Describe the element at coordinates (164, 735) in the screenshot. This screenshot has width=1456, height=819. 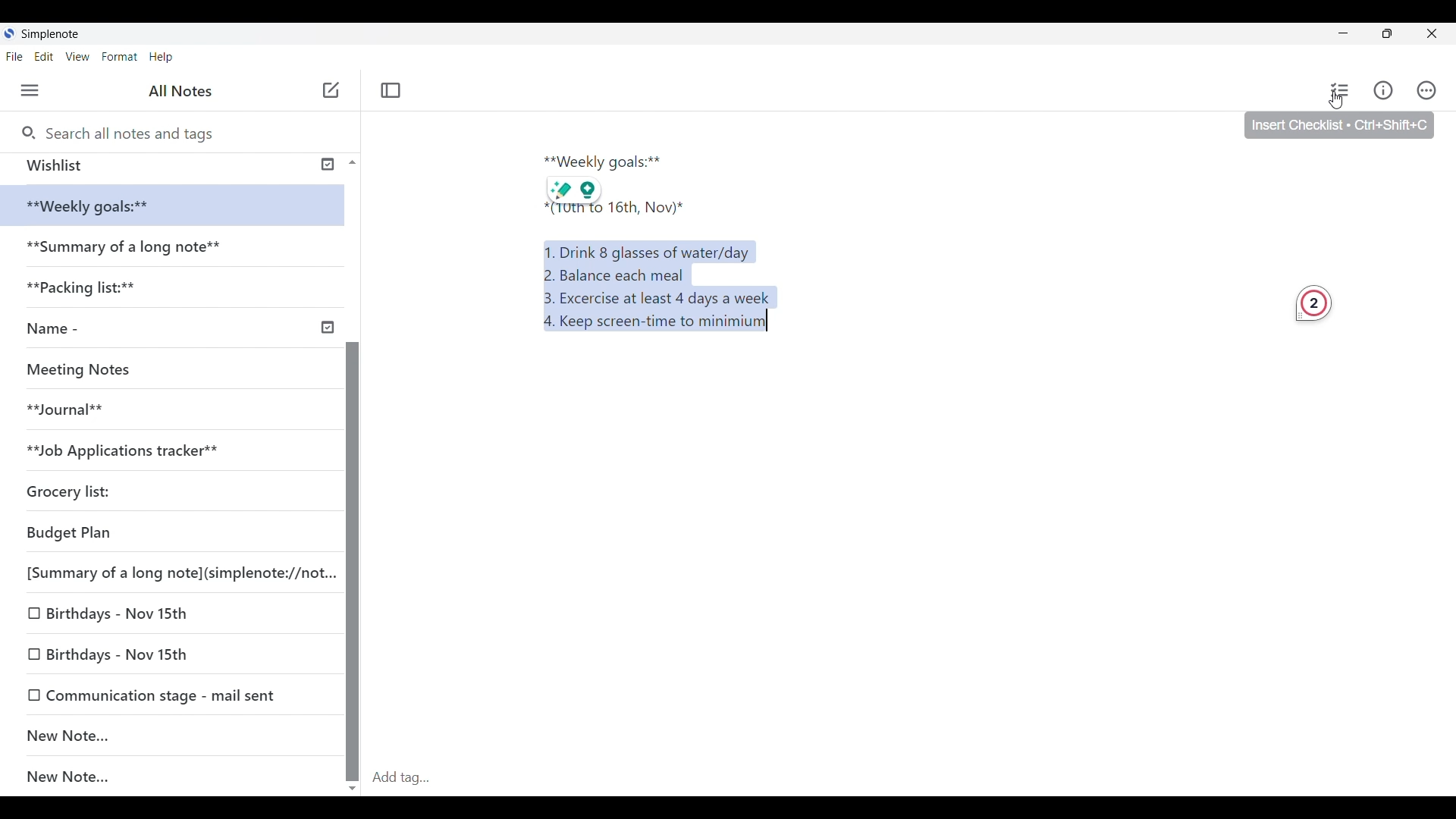
I see `New note` at that location.